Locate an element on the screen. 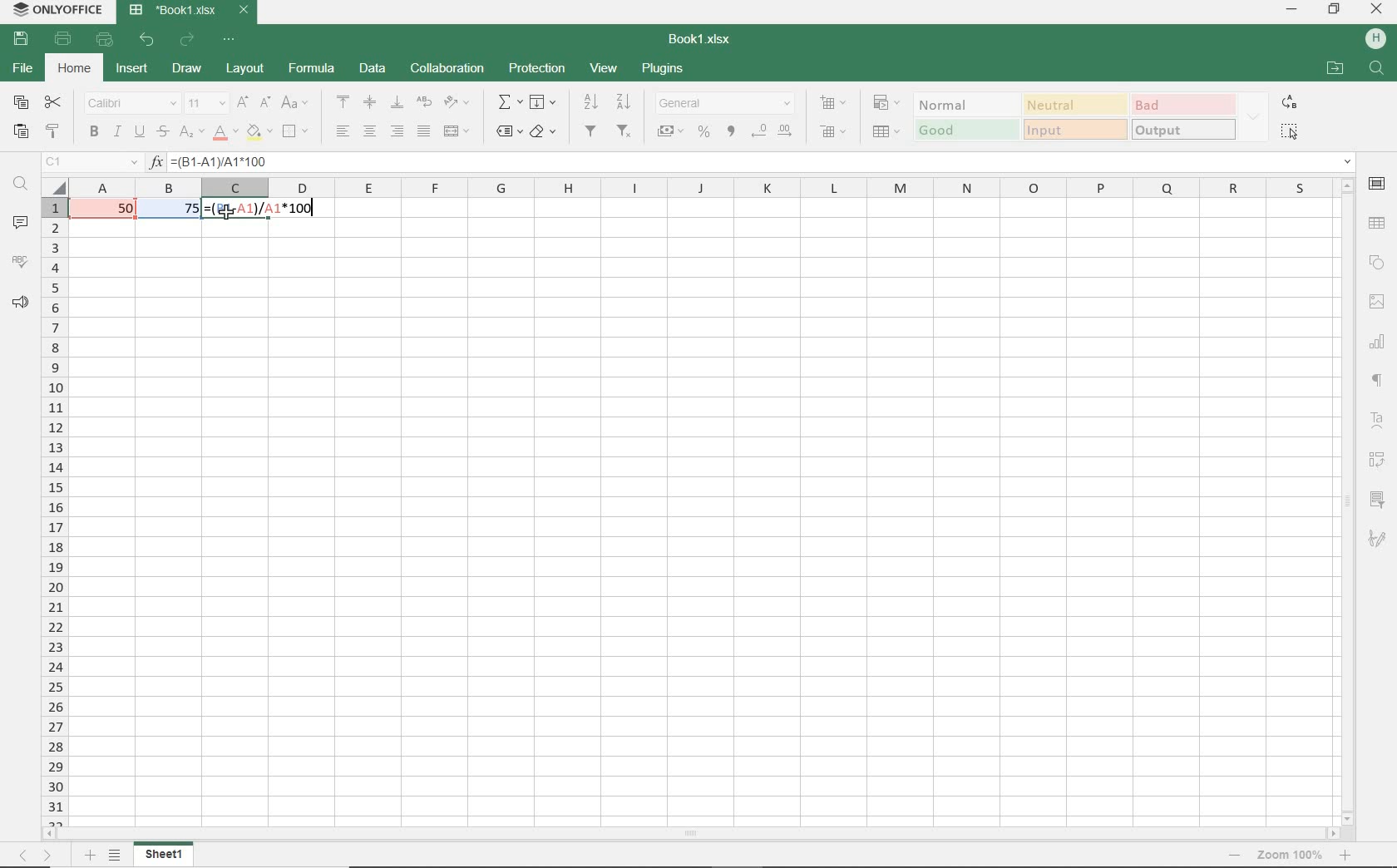 This screenshot has width=1397, height=868. insert cells is located at coordinates (832, 104).